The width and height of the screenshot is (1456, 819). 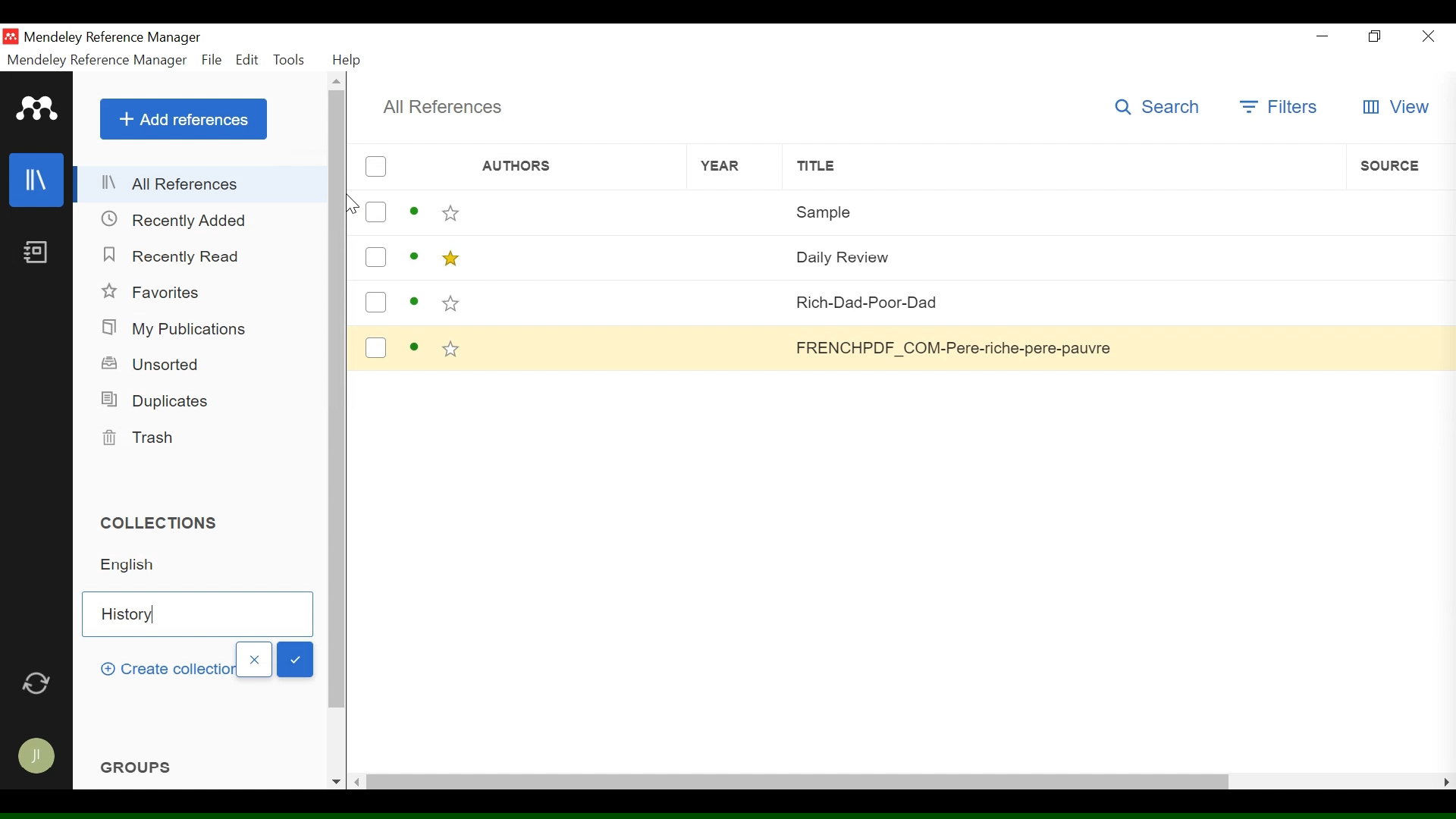 What do you see at coordinates (1163, 107) in the screenshot?
I see `Search` at bounding box center [1163, 107].